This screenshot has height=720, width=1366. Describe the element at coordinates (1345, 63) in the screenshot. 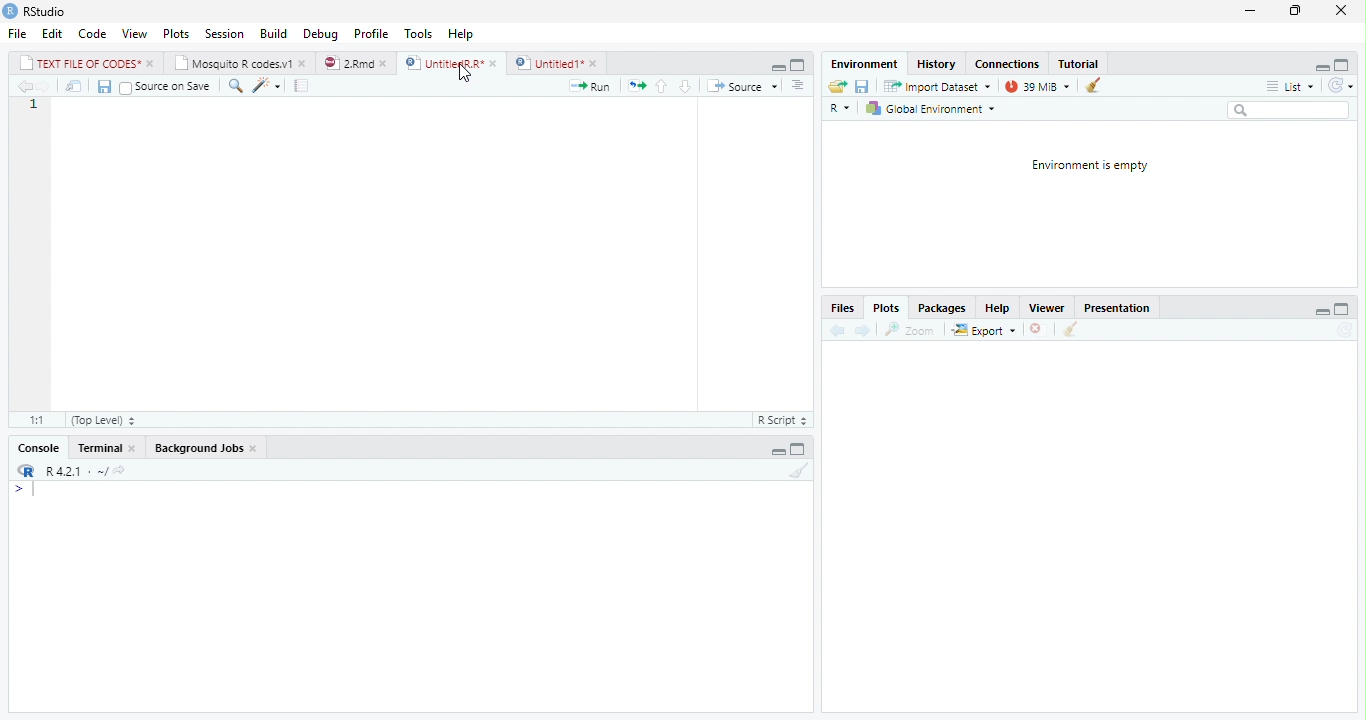

I see `Maximize` at that location.